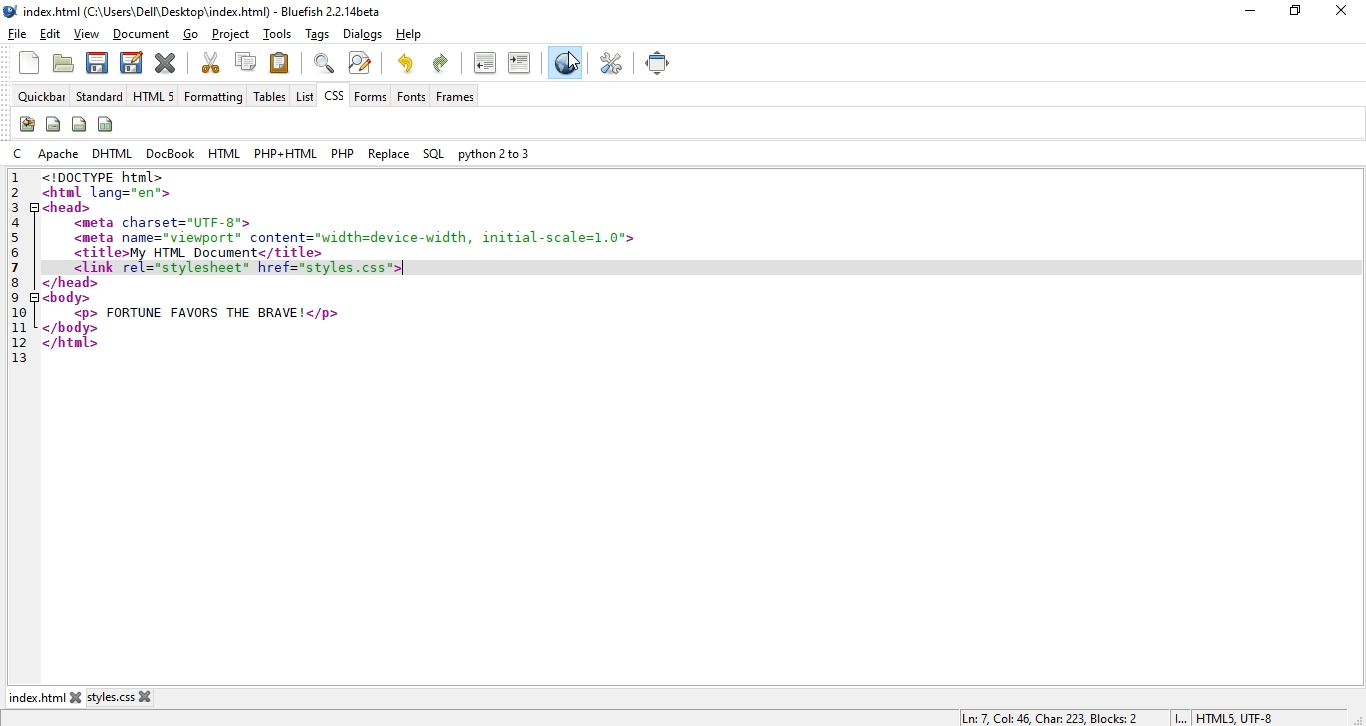 Image resolution: width=1366 pixels, height=726 pixels. What do you see at coordinates (116, 699) in the screenshot?
I see `styles.css` at bounding box center [116, 699].